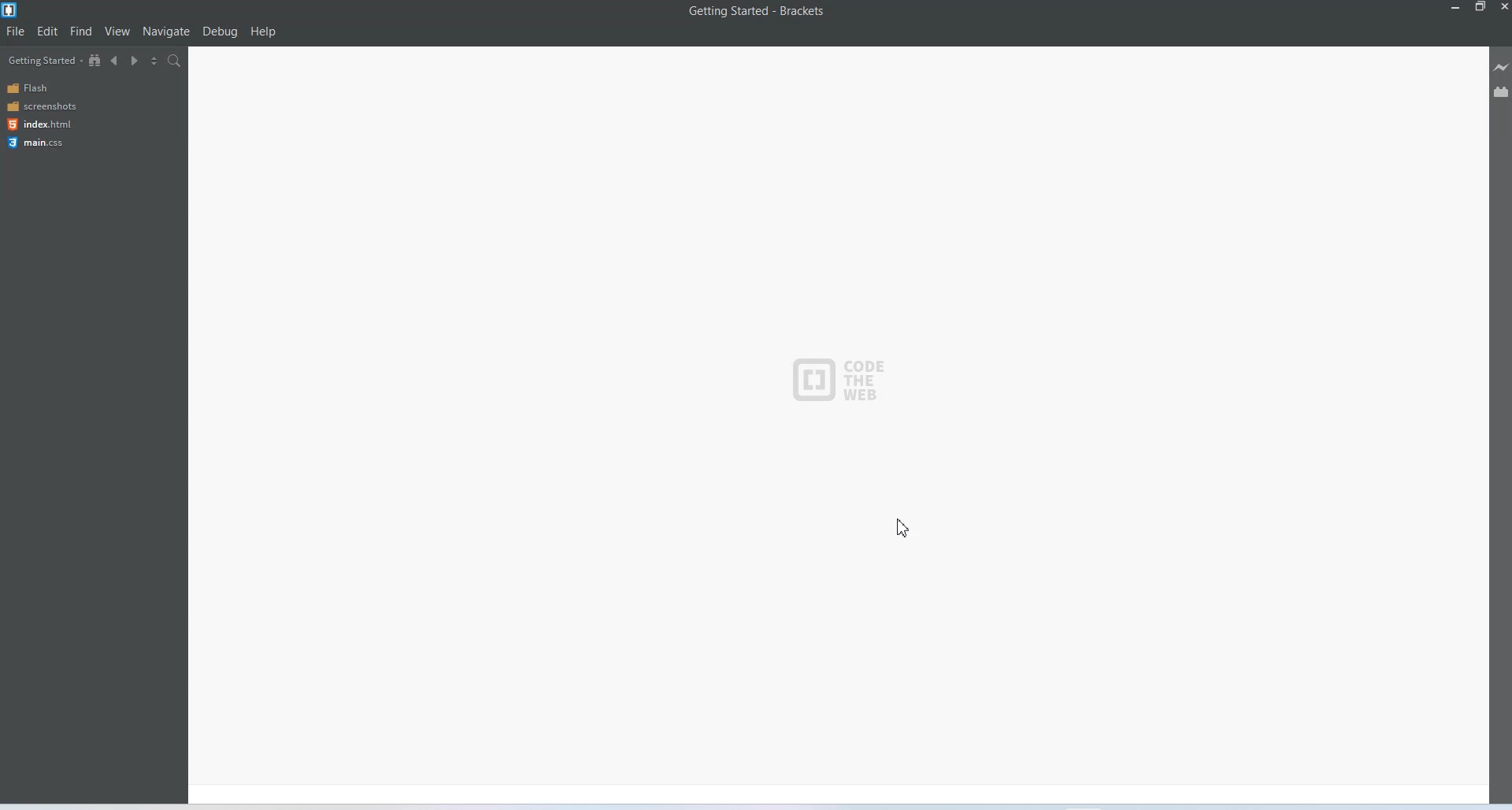  Describe the element at coordinates (116, 60) in the screenshot. I see `Navigate backward` at that location.